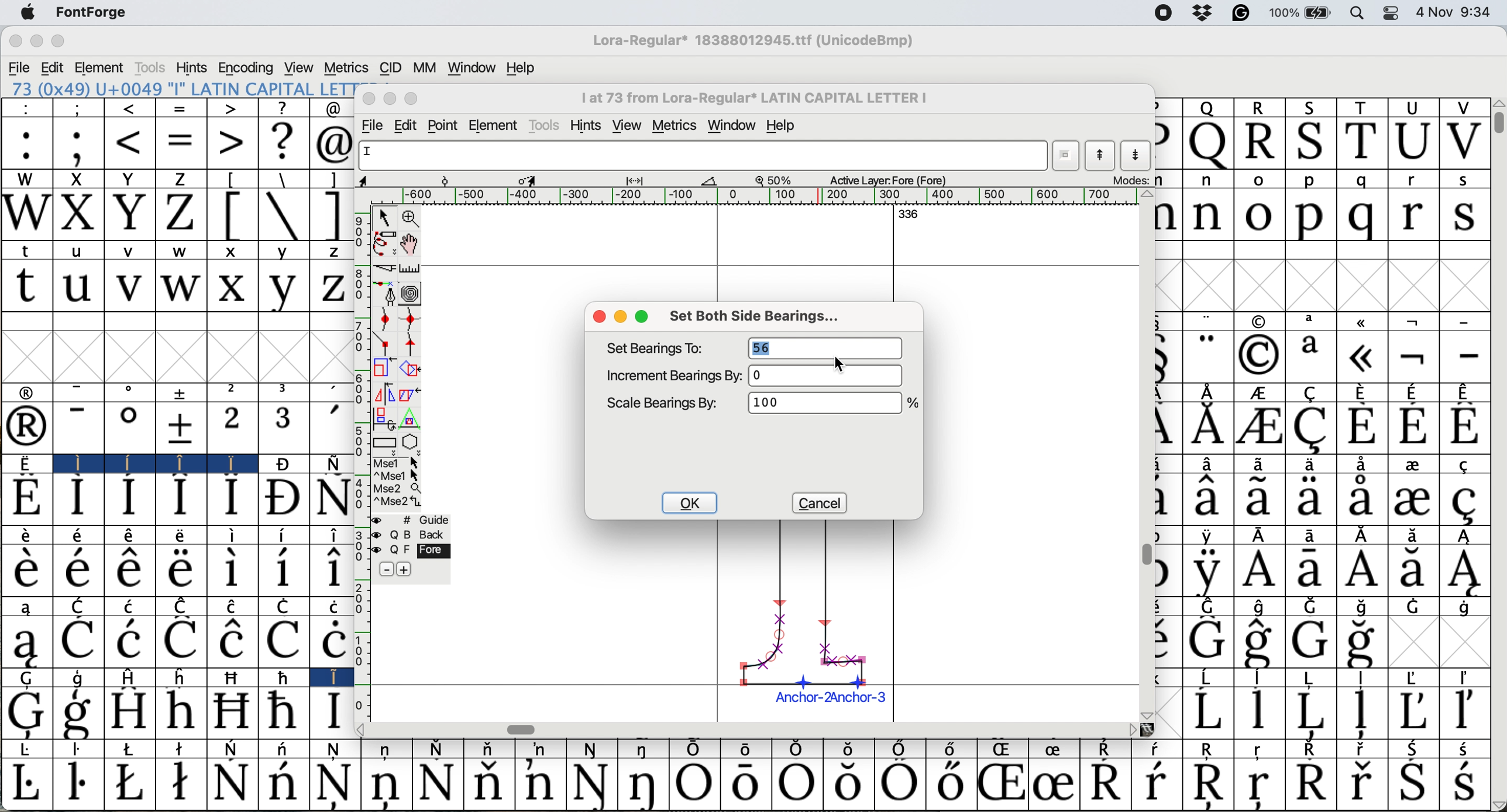 The height and width of the screenshot is (812, 1507). Describe the element at coordinates (541, 749) in the screenshot. I see `Symbol` at that location.